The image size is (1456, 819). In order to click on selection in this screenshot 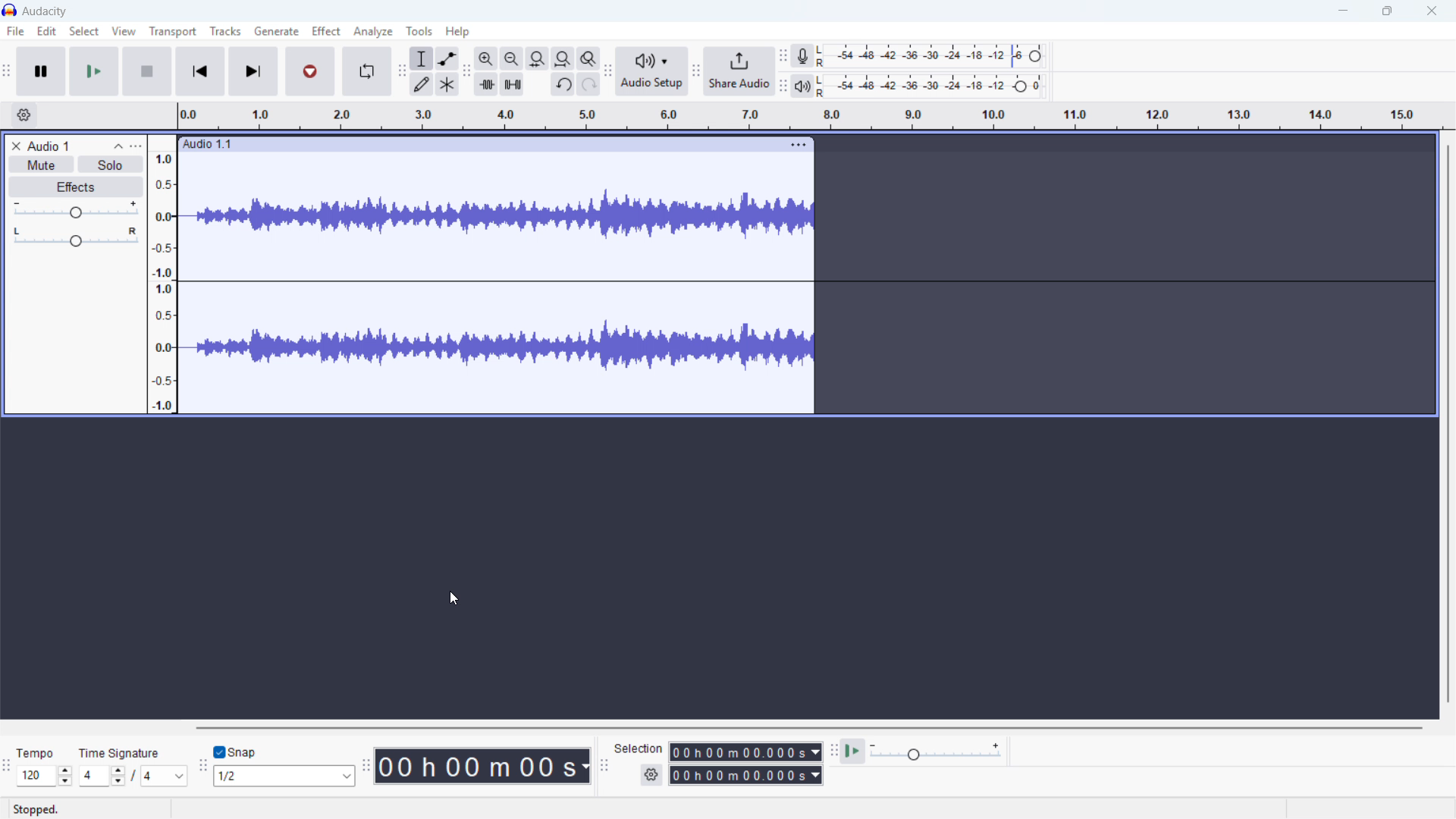, I will do `click(639, 748)`.